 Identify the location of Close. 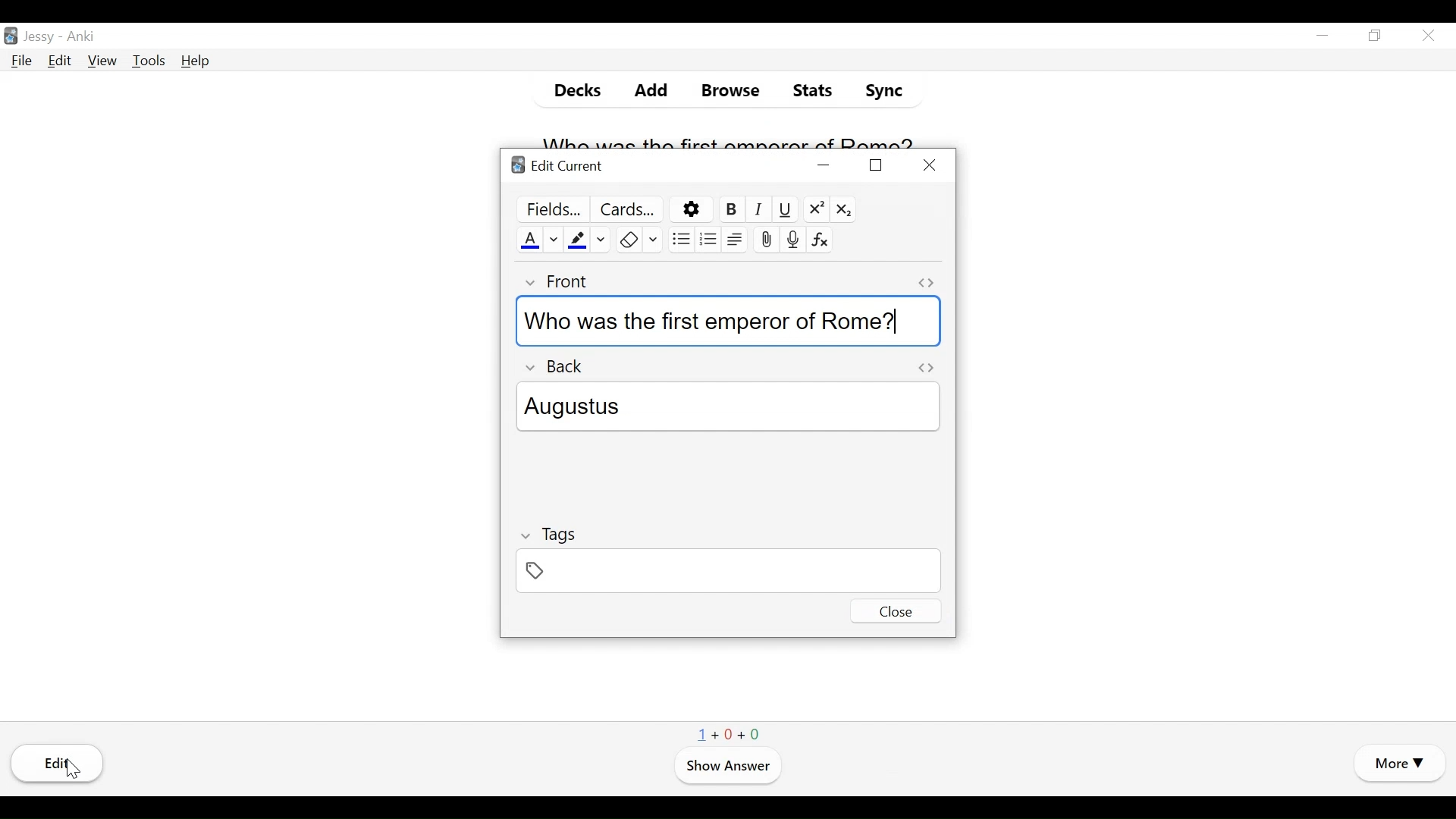
(1426, 35).